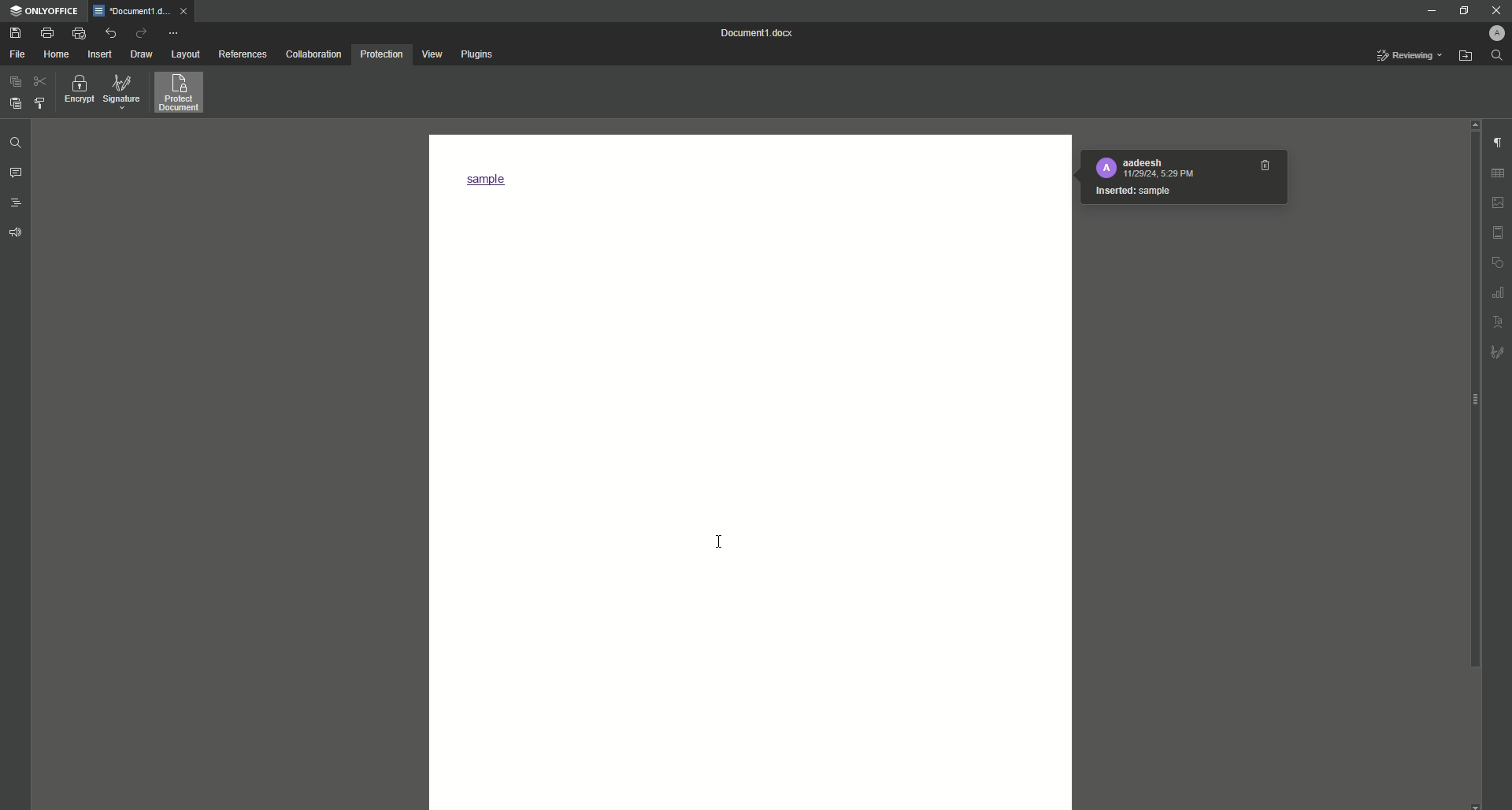 The width and height of the screenshot is (1512, 810). I want to click on File, so click(17, 54).